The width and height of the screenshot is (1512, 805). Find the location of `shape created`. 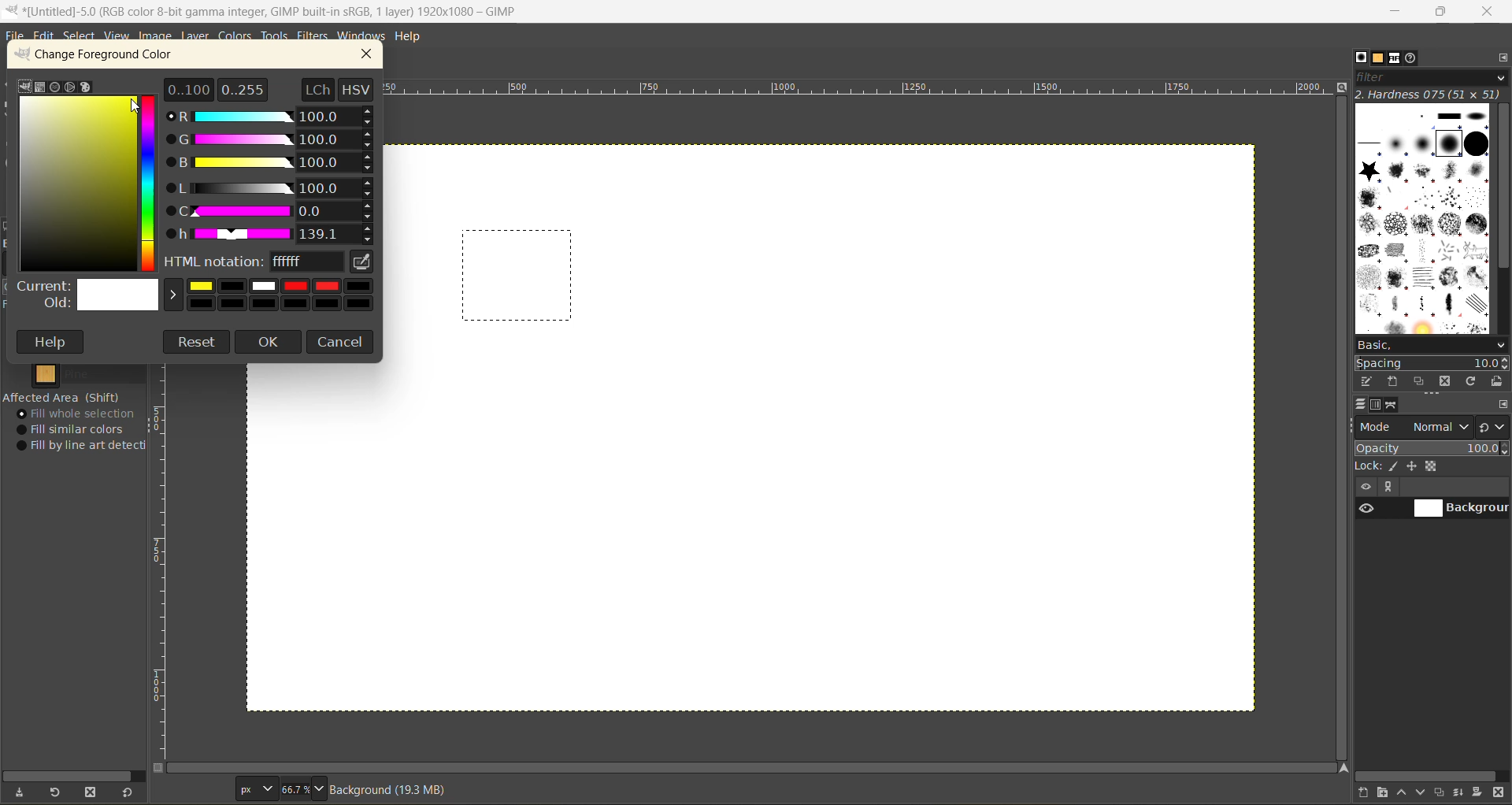

shape created is located at coordinates (518, 276).